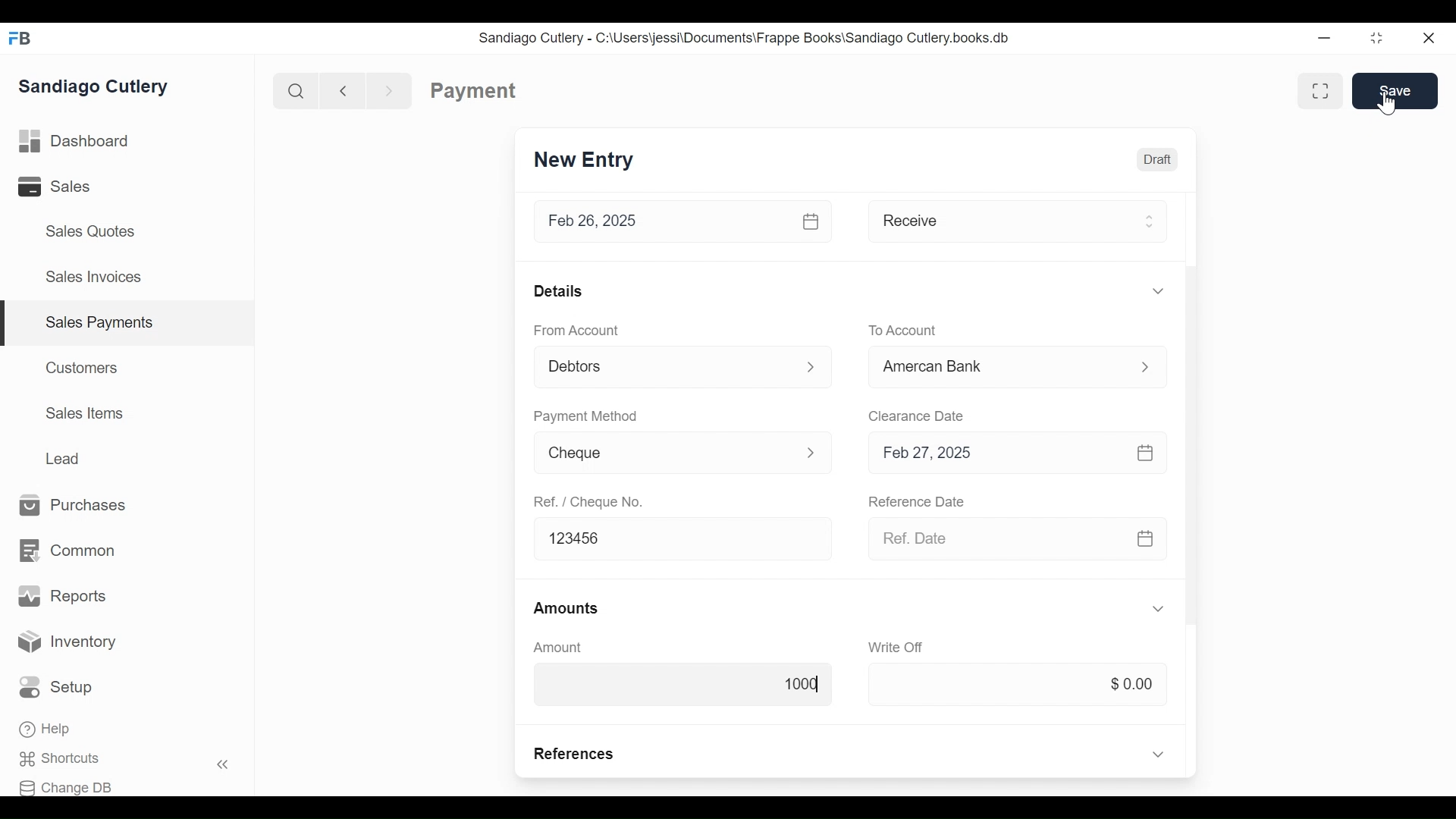 The image size is (1456, 819). What do you see at coordinates (812, 368) in the screenshot?
I see `Expand` at bounding box center [812, 368].